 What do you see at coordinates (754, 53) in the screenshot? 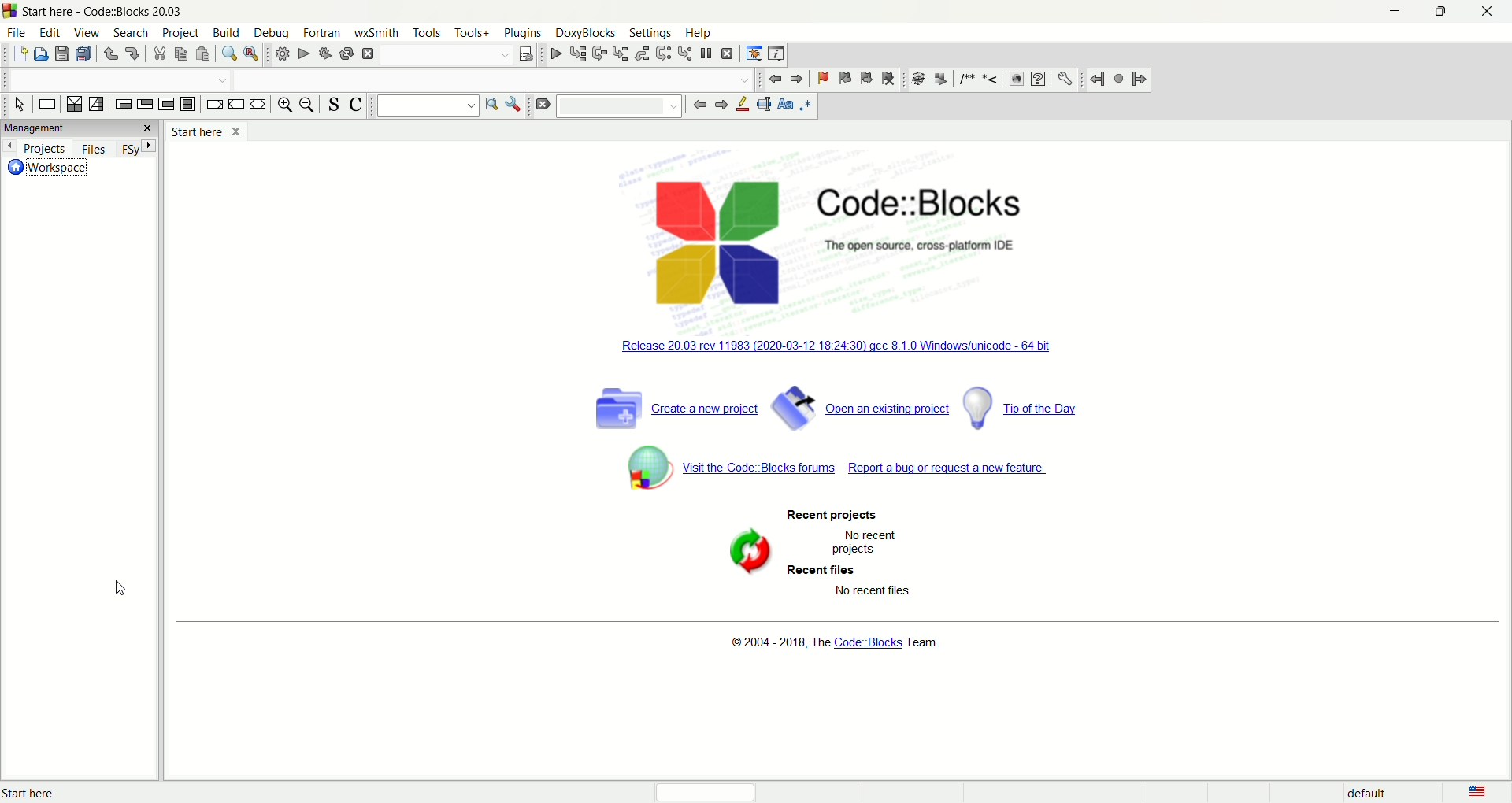
I see `debugging` at bounding box center [754, 53].